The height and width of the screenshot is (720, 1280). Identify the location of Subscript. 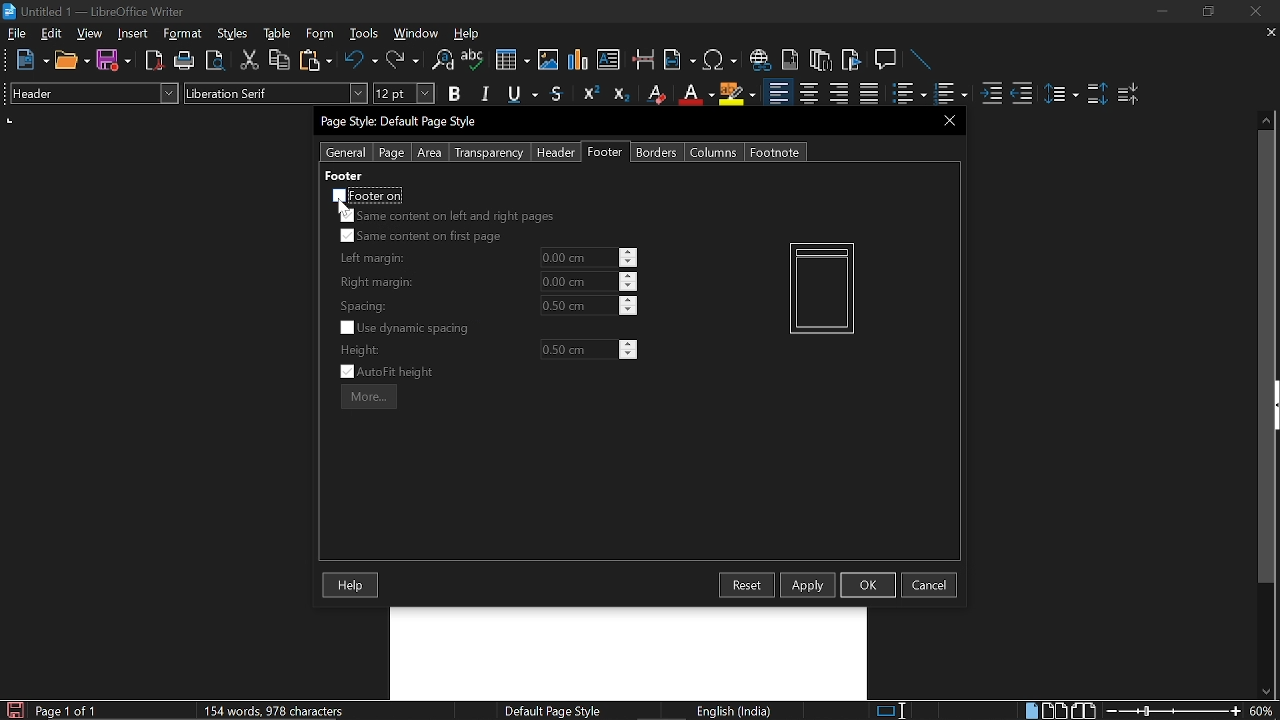
(620, 94).